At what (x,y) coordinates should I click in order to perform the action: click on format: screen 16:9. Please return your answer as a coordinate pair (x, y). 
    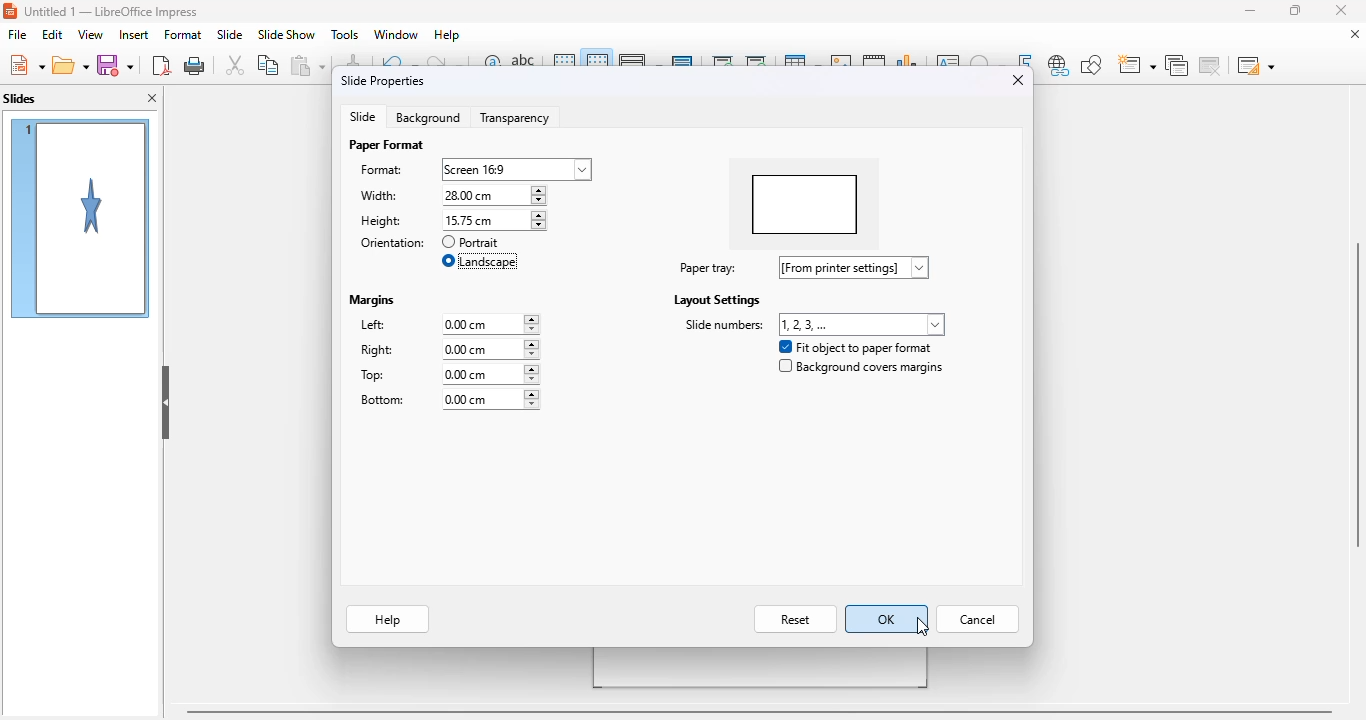
    Looking at the image, I should click on (518, 170).